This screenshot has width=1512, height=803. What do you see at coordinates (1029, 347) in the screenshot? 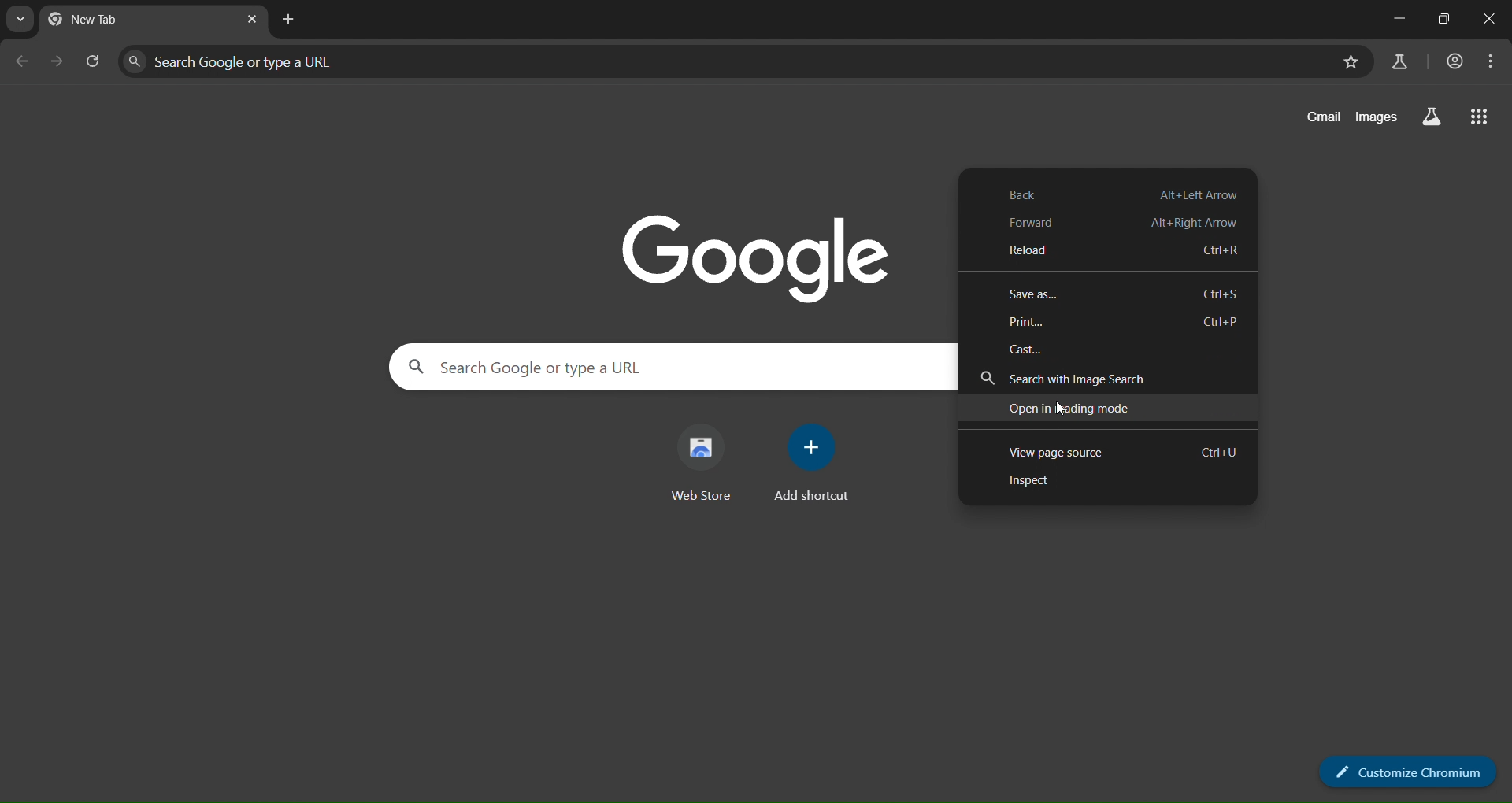
I see `cast` at bounding box center [1029, 347].